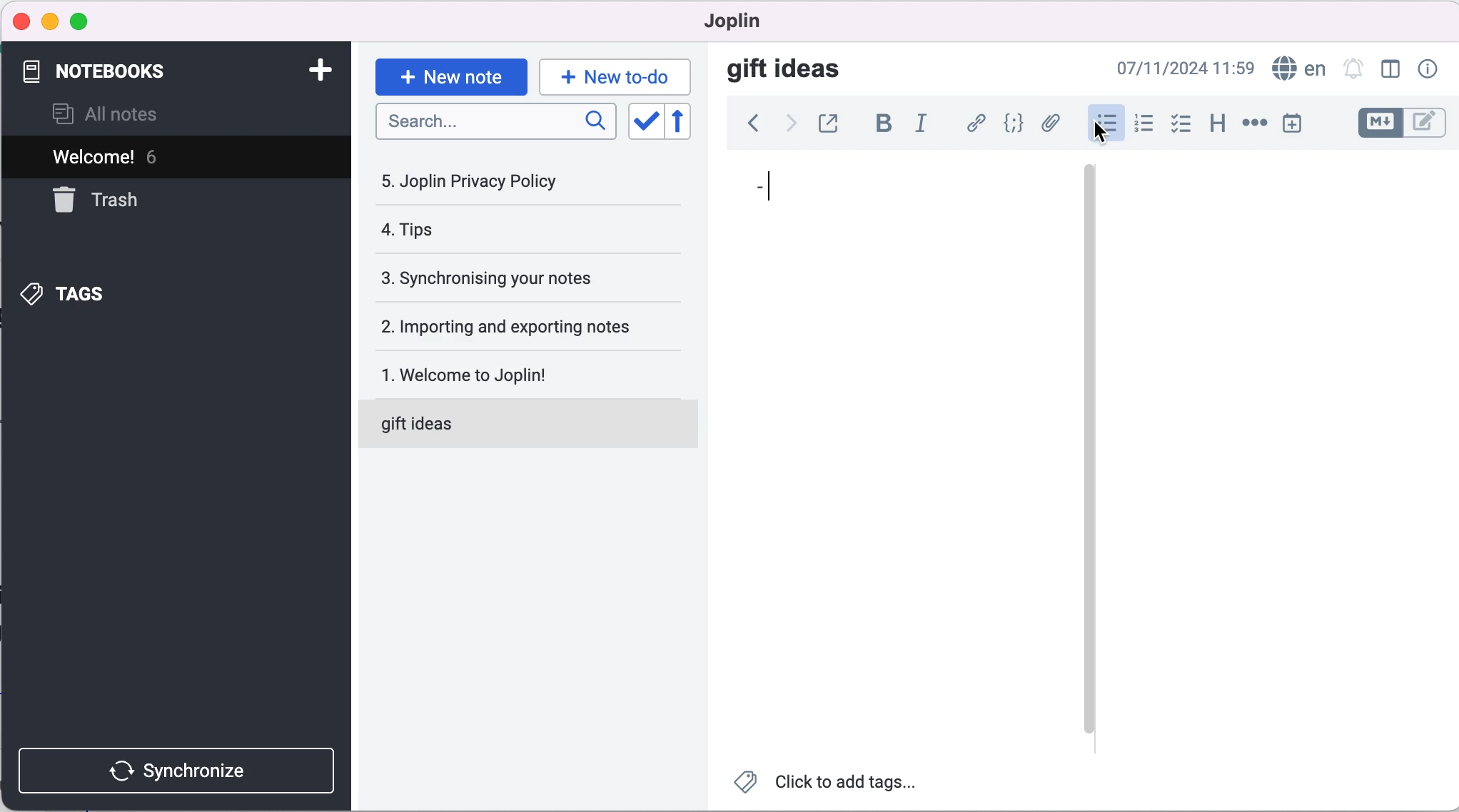 Image resolution: width=1459 pixels, height=812 pixels. Describe the element at coordinates (642, 121) in the screenshot. I see `toggle sort order field` at that location.